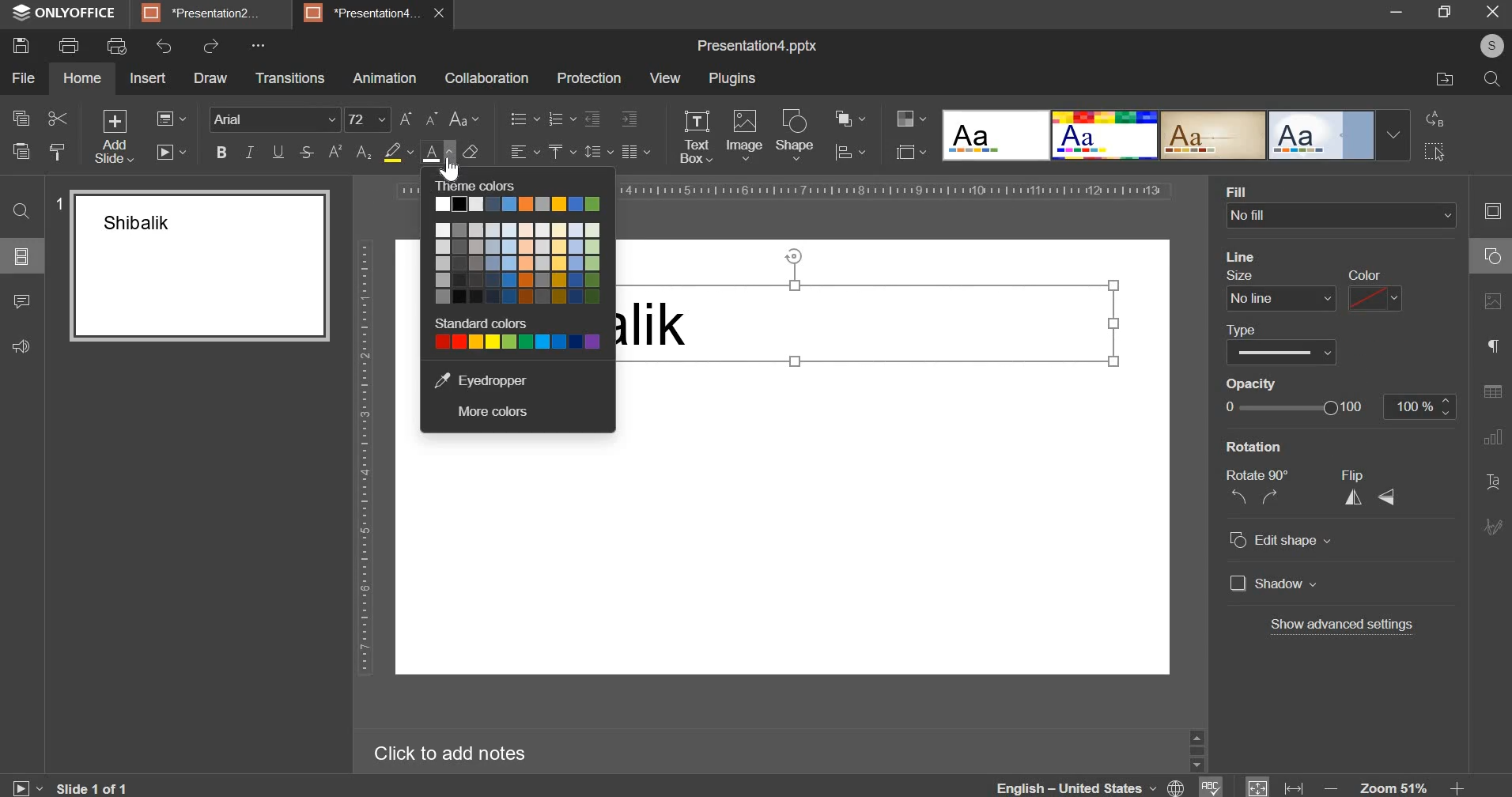 Image resolution: width=1512 pixels, height=797 pixels. I want to click on Restore down, so click(1397, 12).